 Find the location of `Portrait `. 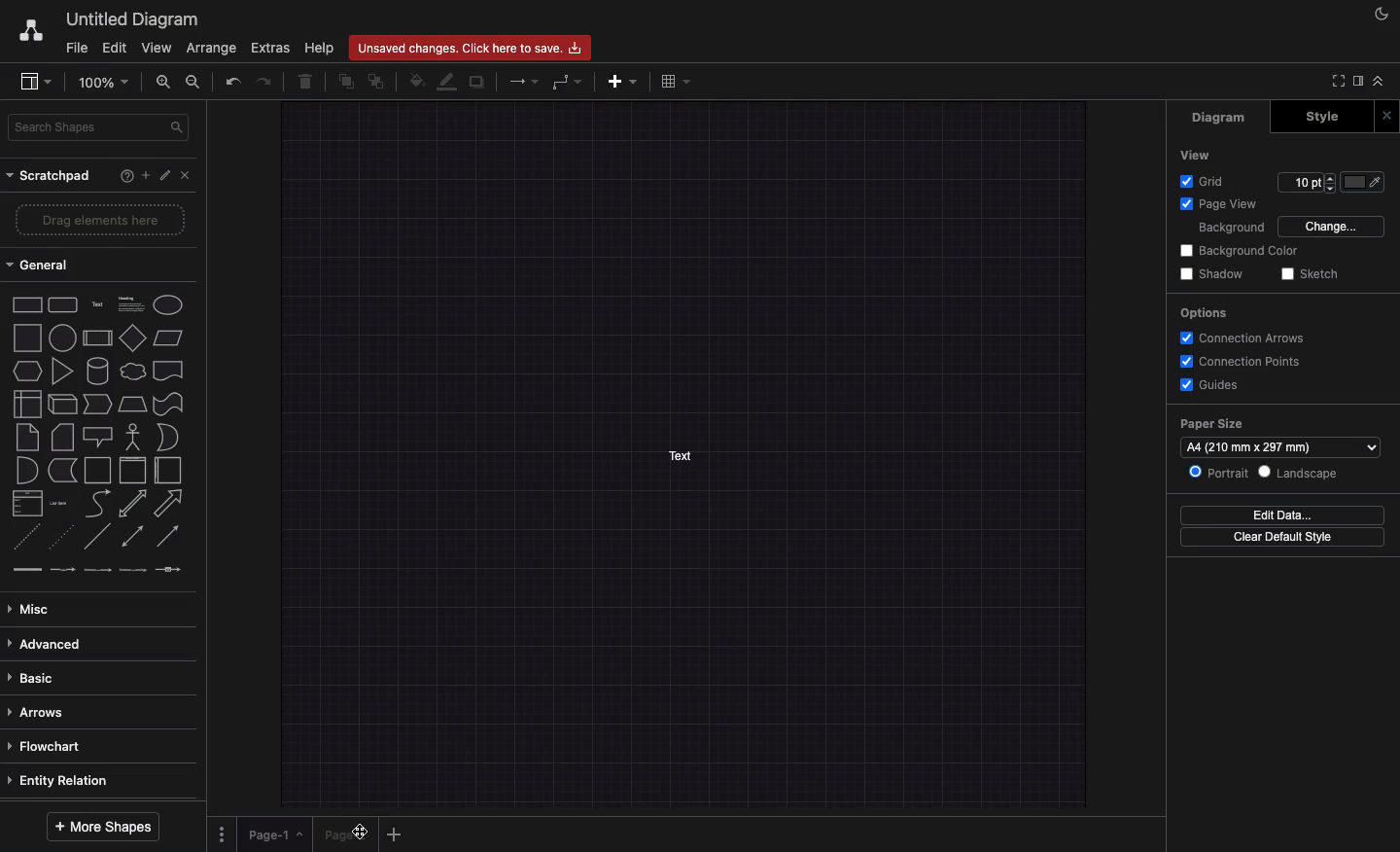

Portrait  is located at coordinates (1222, 473).